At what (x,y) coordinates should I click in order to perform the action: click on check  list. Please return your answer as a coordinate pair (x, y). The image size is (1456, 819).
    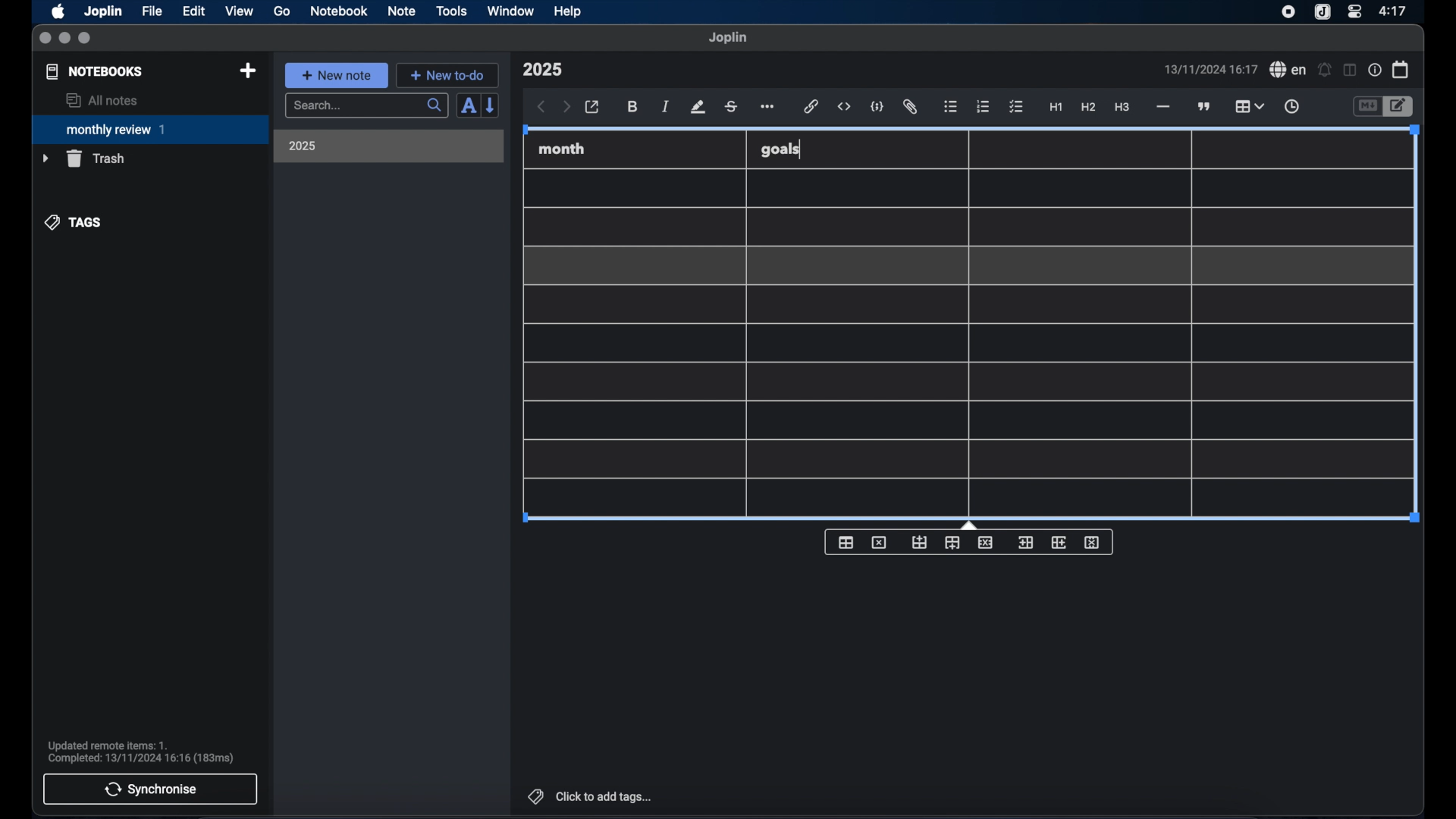
    Looking at the image, I should click on (1016, 108).